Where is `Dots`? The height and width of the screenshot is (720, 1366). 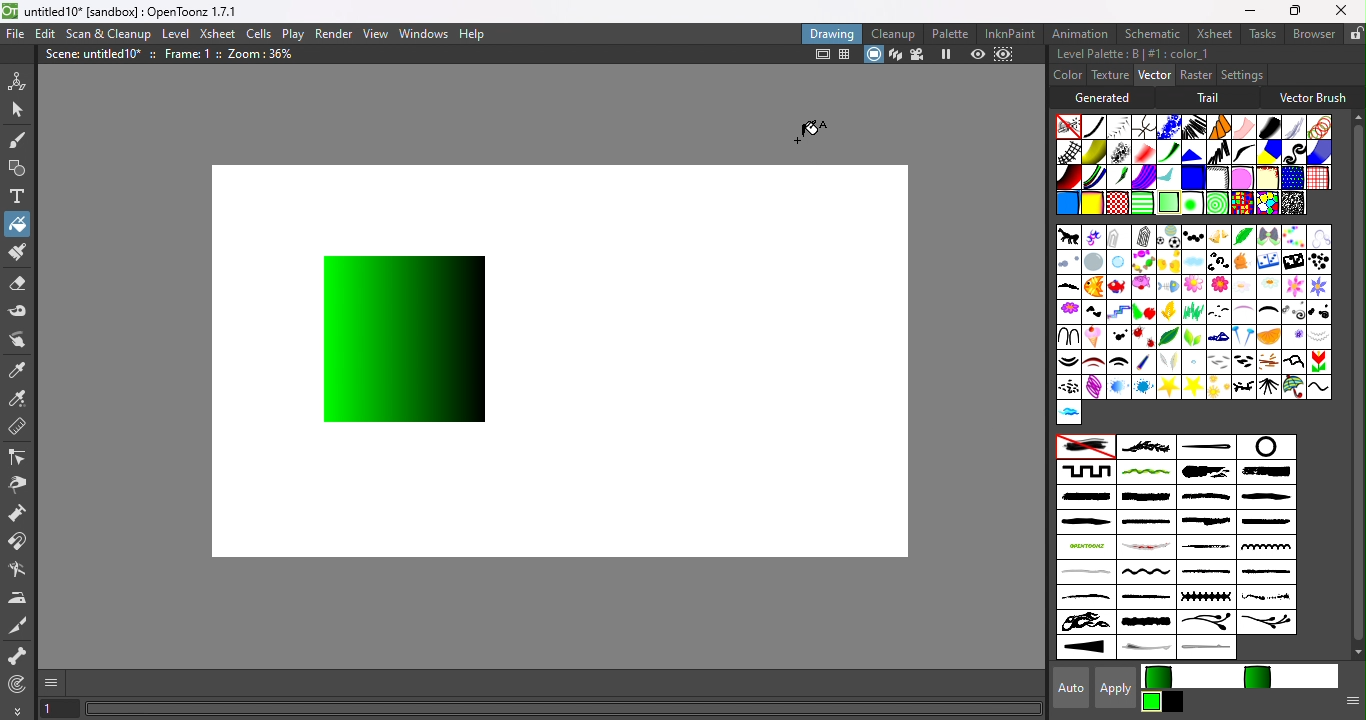
Dots is located at coordinates (1318, 262).